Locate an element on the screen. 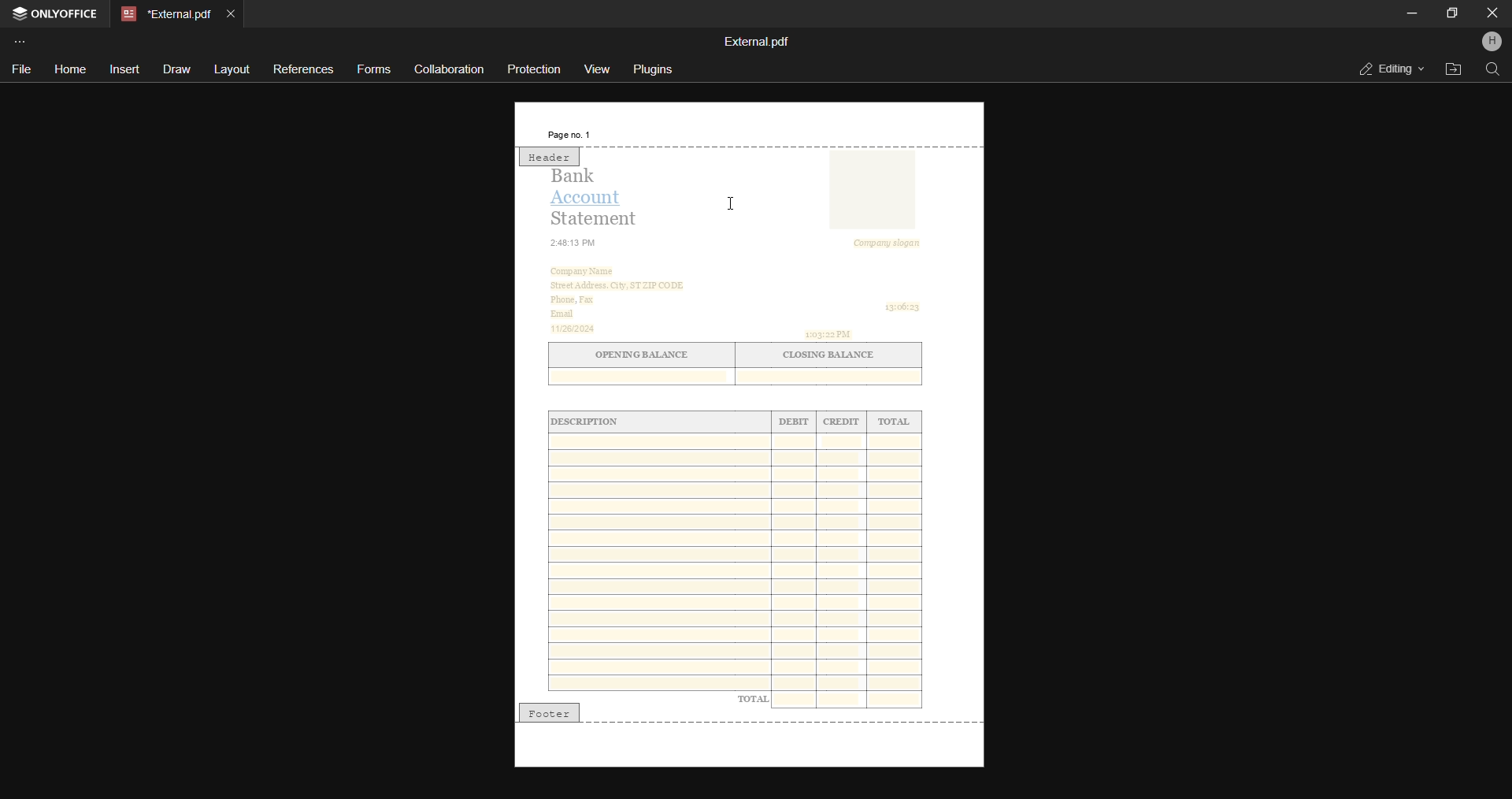 The width and height of the screenshot is (1512, 799). minimize is located at coordinates (1411, 13).